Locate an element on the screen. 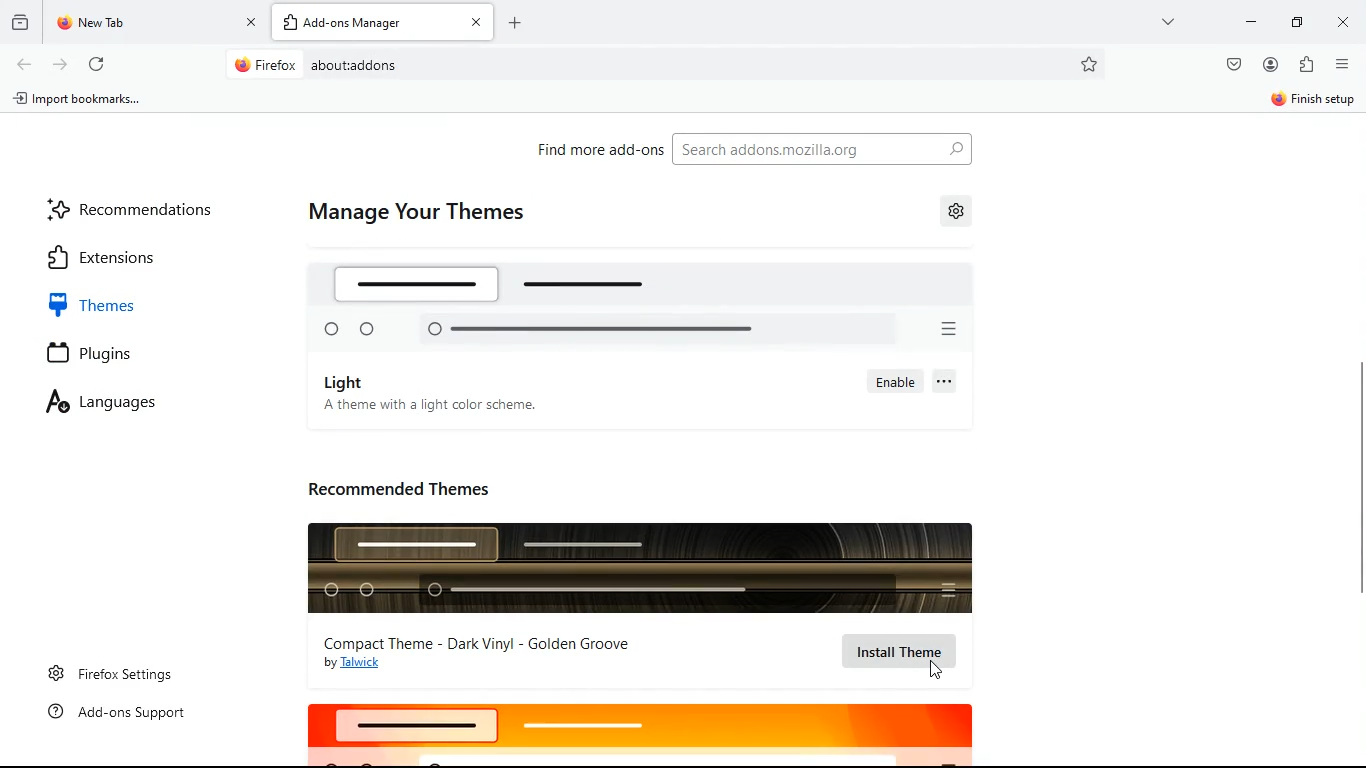 The height and width of the screenshot is (768, 1366). plugins is located at coordinates (109, 355).